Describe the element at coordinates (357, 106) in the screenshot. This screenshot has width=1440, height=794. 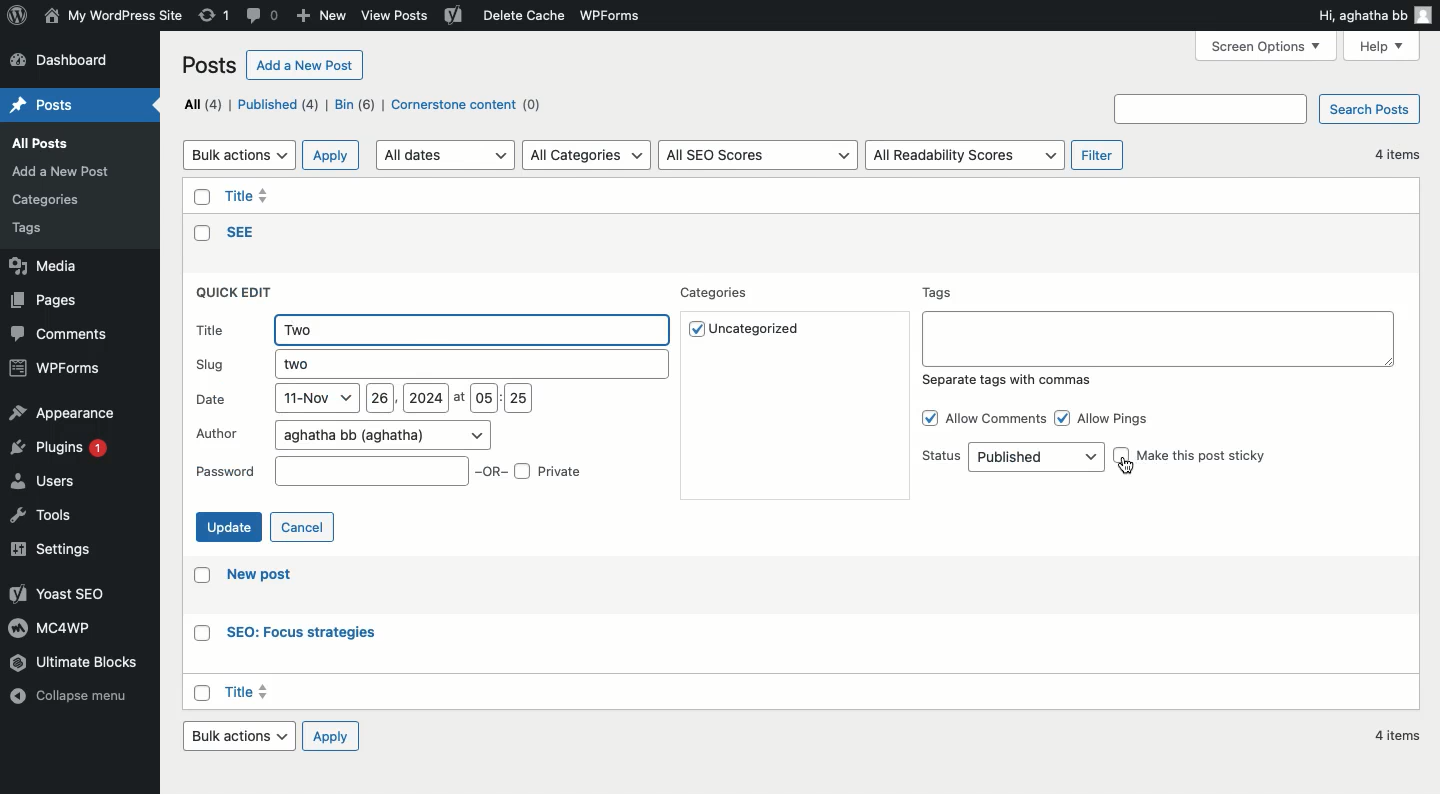
I see `Bin` at that location.